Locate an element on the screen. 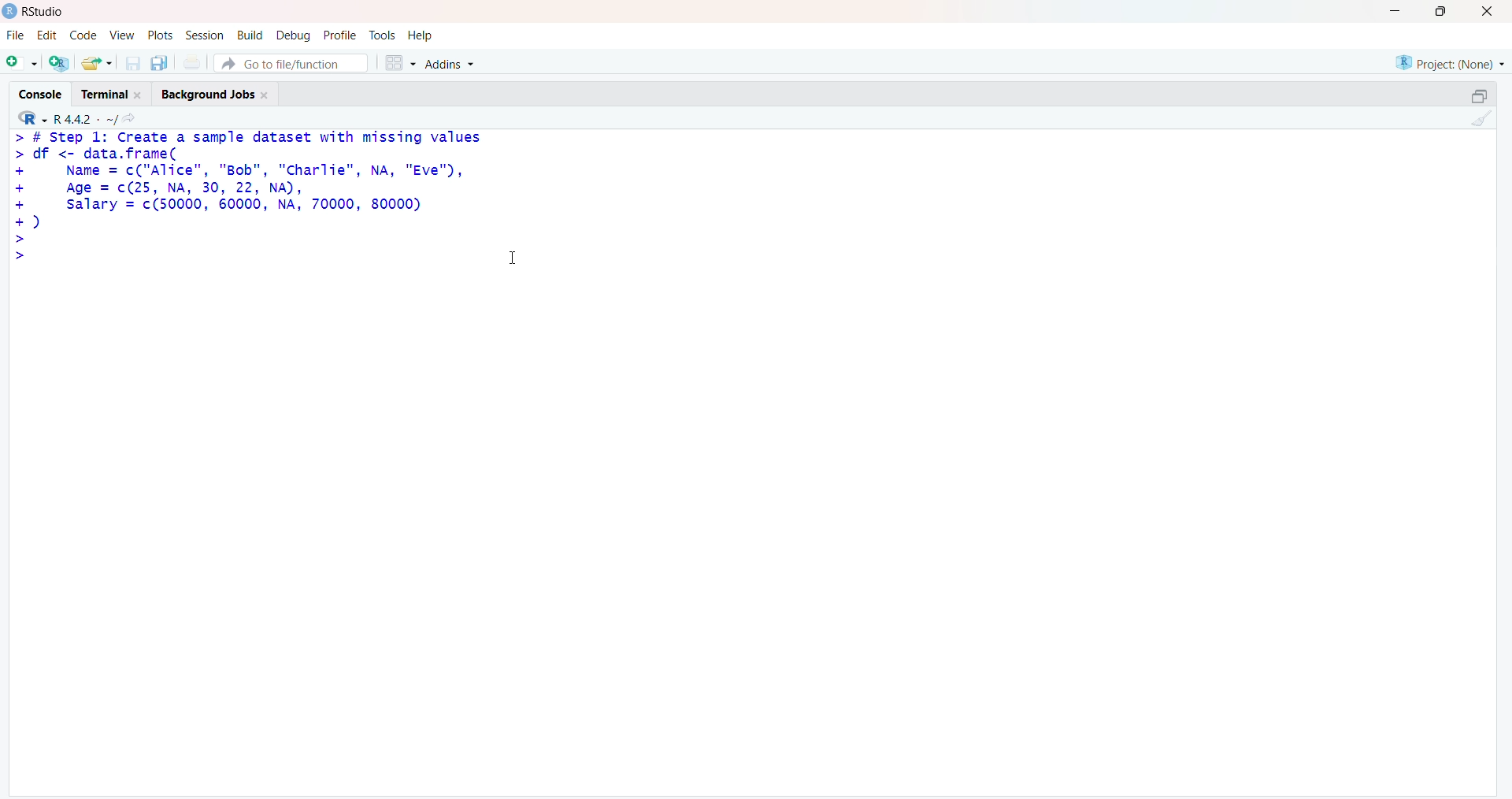 Image resolution: width=1512 pixels, height=799 pixels. Workspace panes is located at coordinates (399, 63).